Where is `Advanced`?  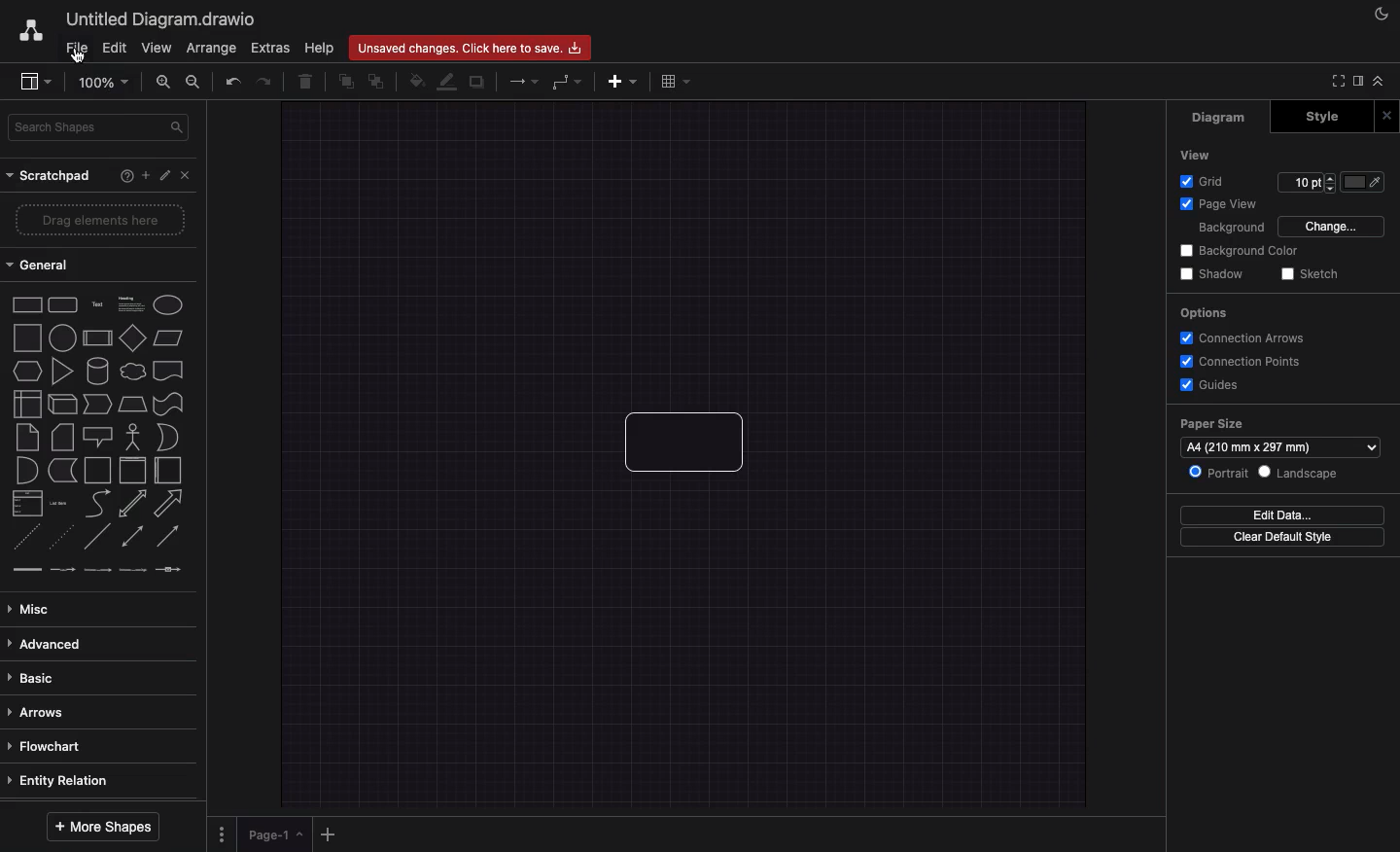 Advanced is located at coordinates (48, 646).